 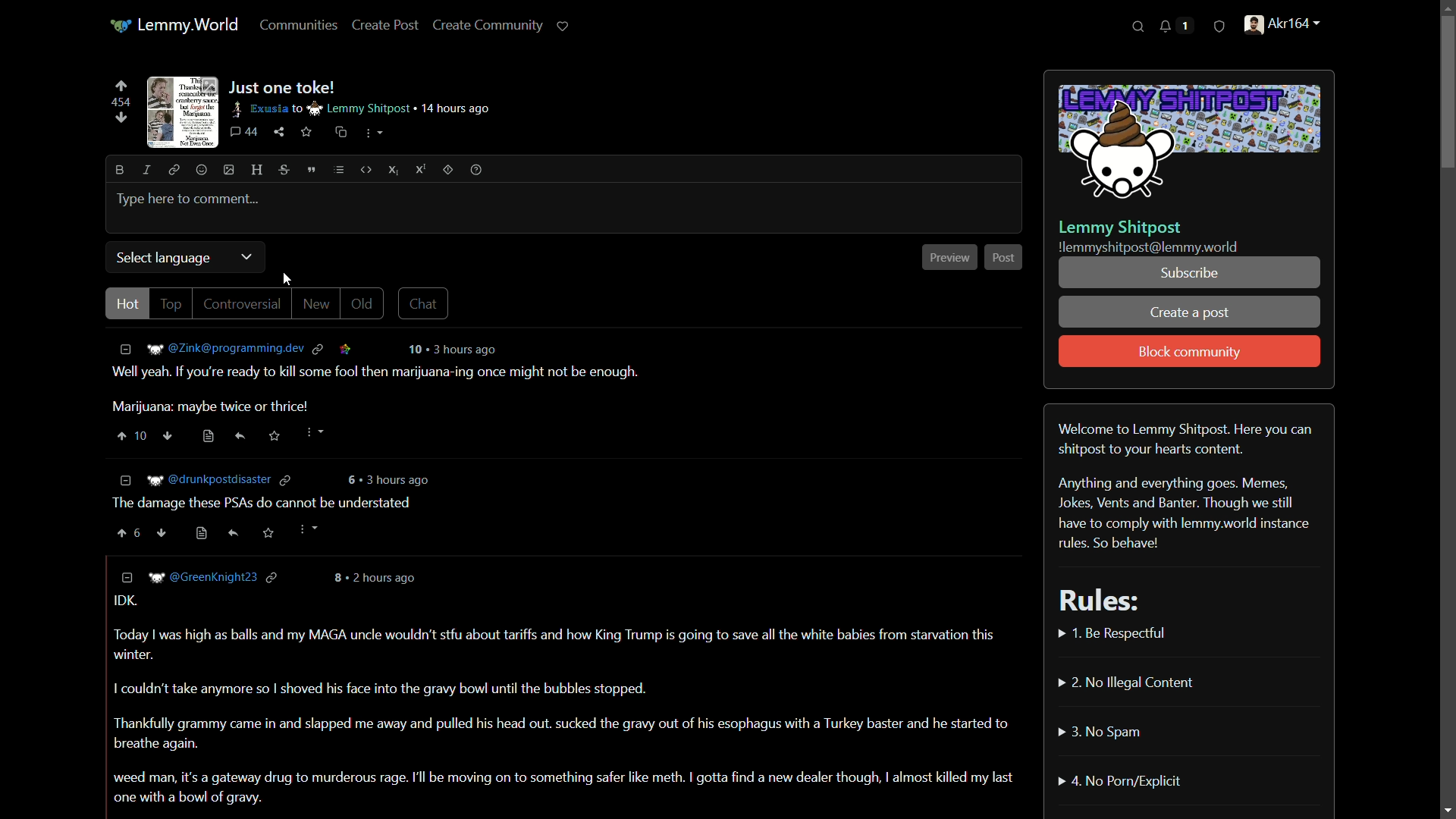 I want to click on IDK.

Today | was high as balls and my MAGA uncle wouldn't stfu about tariffs and how King Trump is going to save all the white babies from starvation this
winter.

I couldn't take anymore so | shoved his face into the gravy bowl until the bubbles stopped.

Thankfully grammy came in and slapped me away and pulled his head out. sucked the gravy out of his esophagus with a Turkey baster and he started to
breathe again.

weed man, it's a gateway drug to murderous rage. I'l be moving on to something safer like meth. I gotta find a new dealer though, I almost killed my last
one with a bowl of gravy., so click(x=548, y=701).